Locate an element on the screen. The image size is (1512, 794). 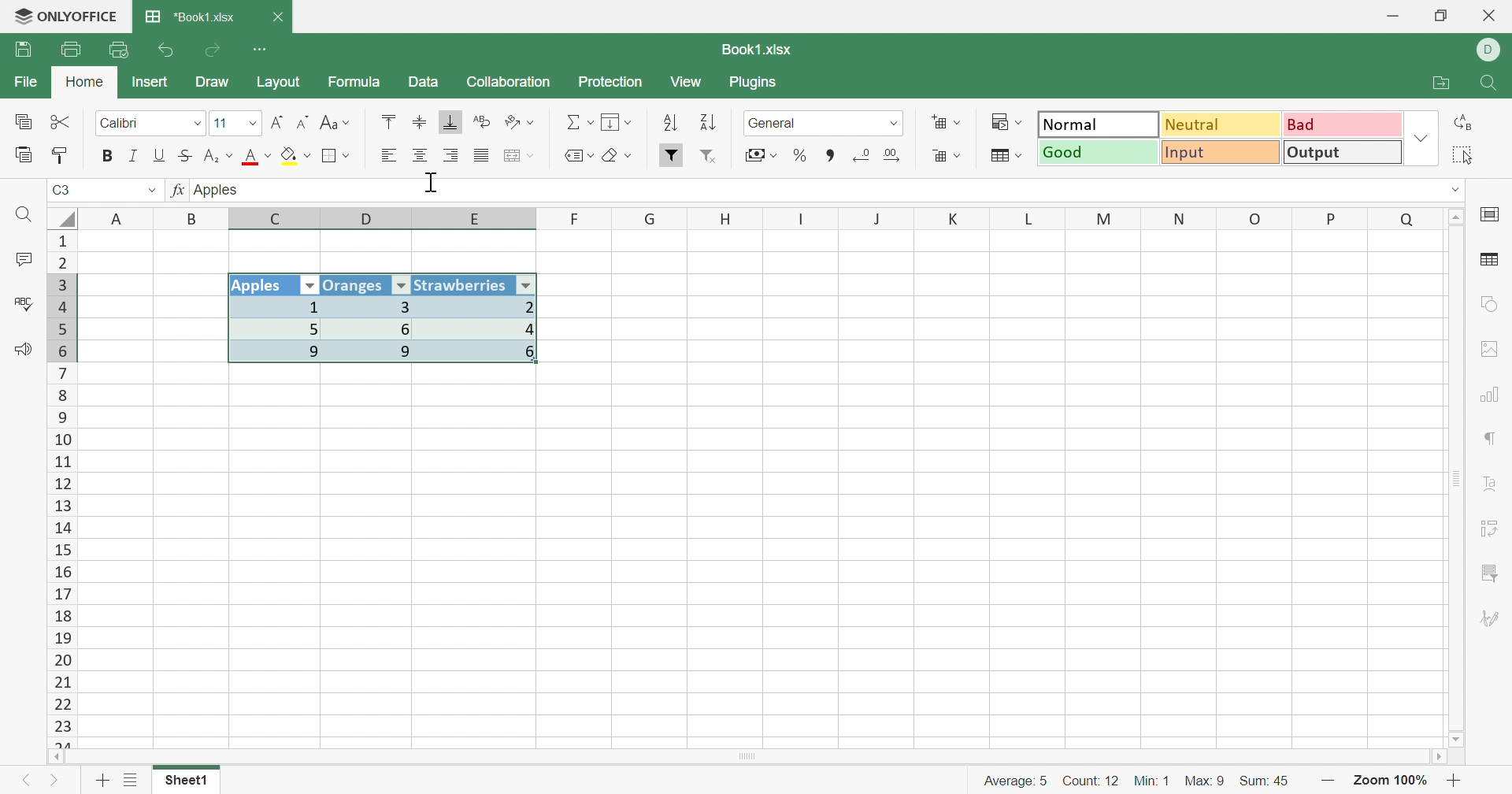
Percentage style is located at coordinates (799, 154).